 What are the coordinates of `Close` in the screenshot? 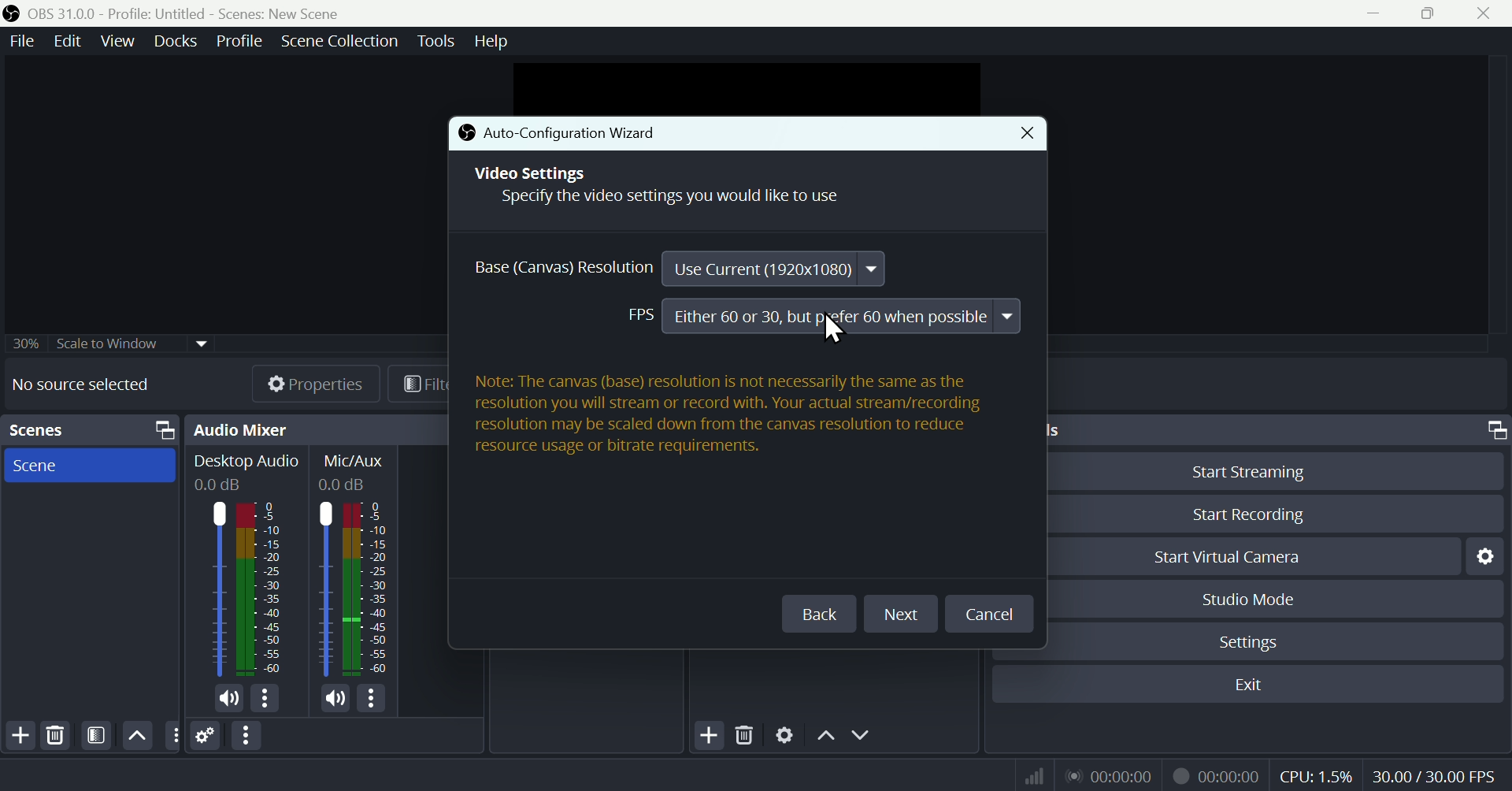 It's located at (1025, 134).